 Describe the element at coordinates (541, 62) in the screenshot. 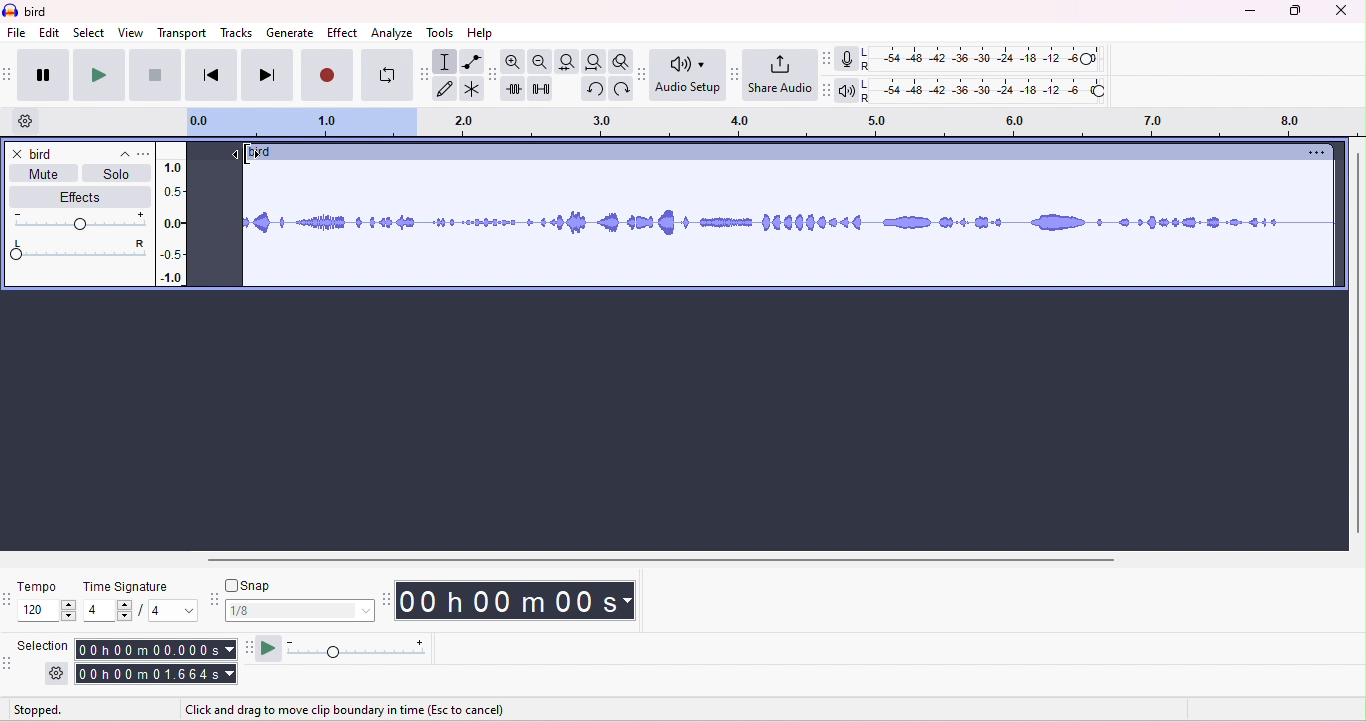

I see `zoom in` at that location.